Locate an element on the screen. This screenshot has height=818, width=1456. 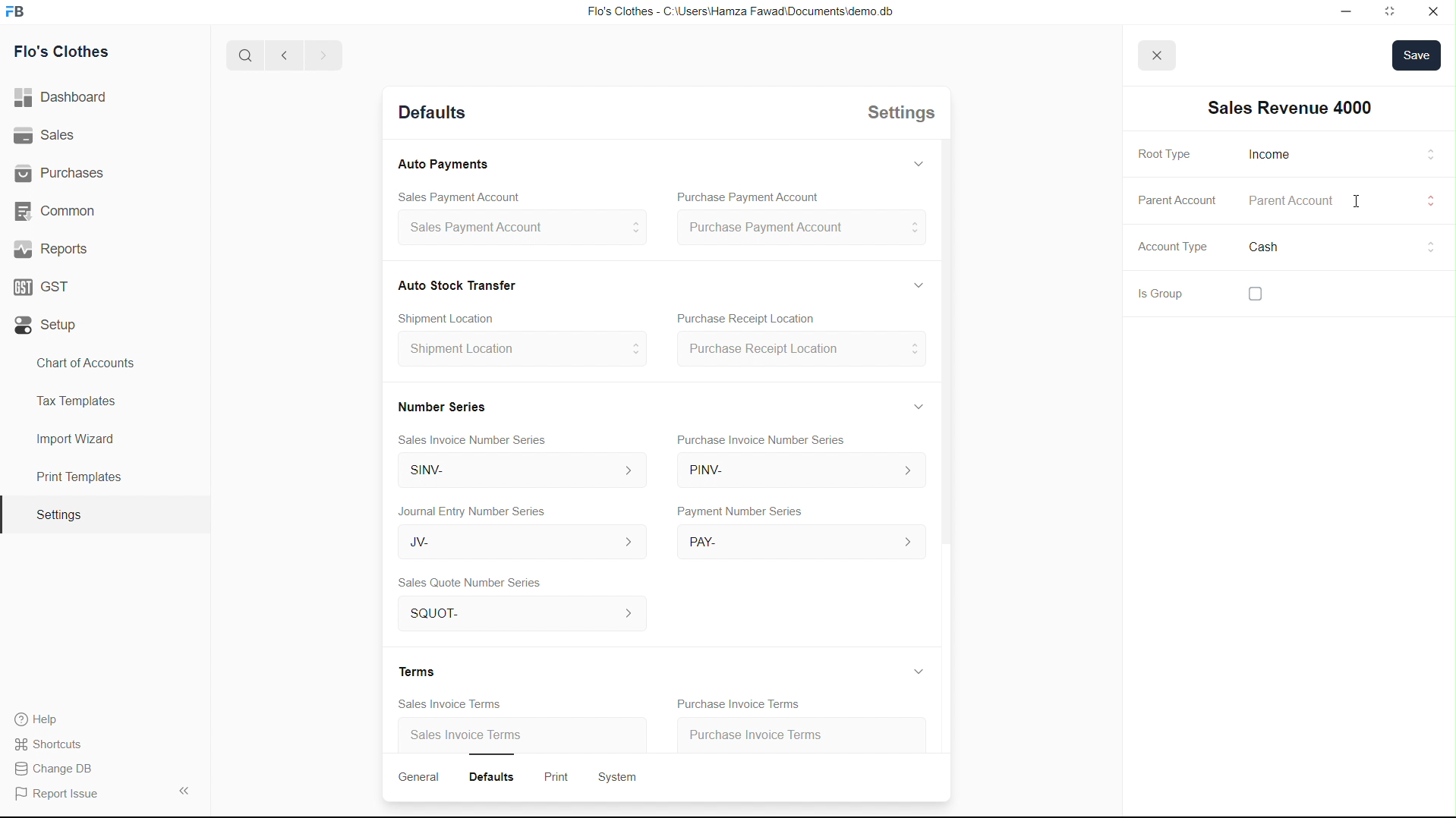
Chart of Accounts is located at coordinates (81, 363).